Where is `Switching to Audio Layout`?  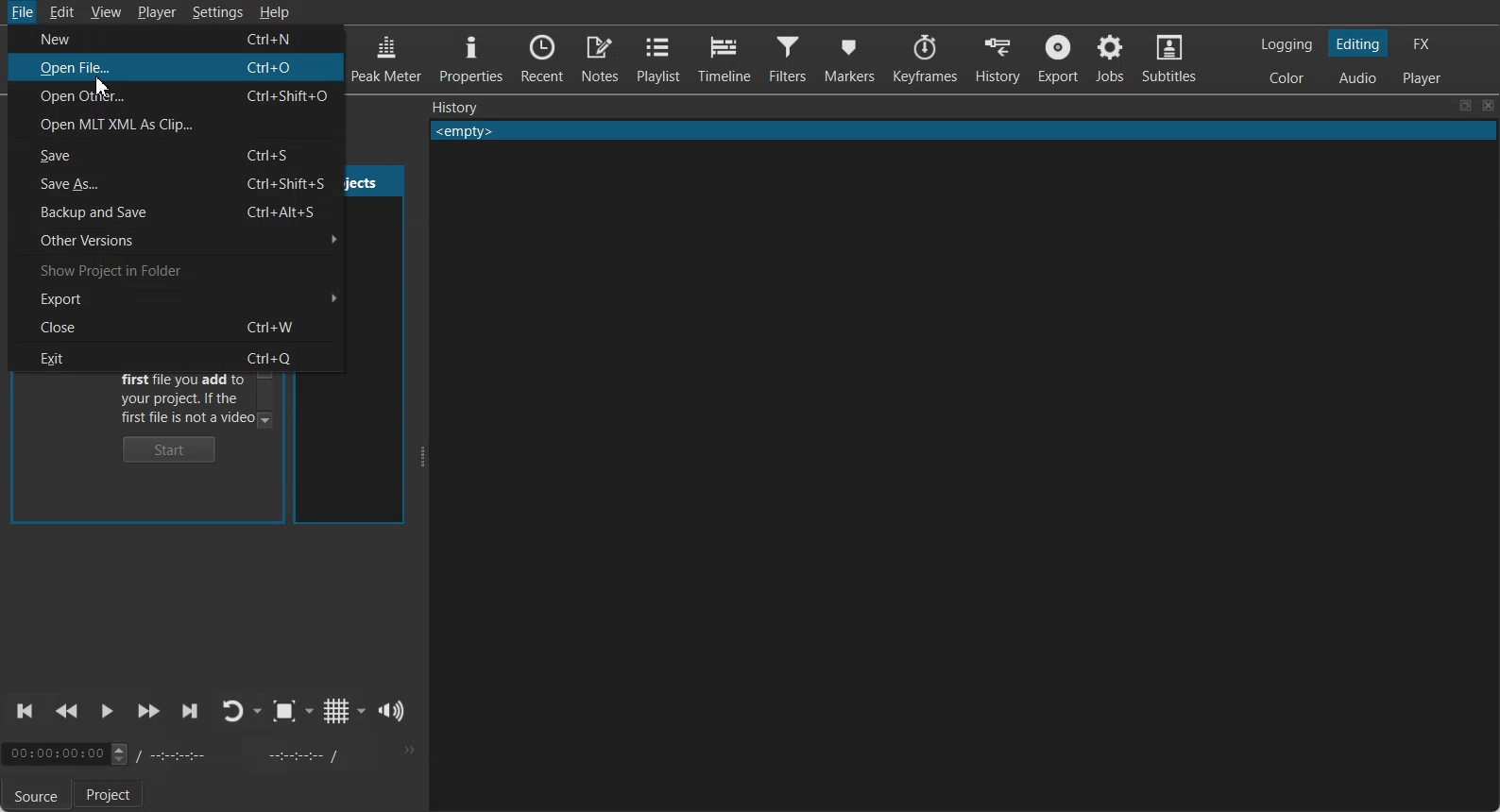
Switching to Audio Layout is located at coordinates (1358, 76).